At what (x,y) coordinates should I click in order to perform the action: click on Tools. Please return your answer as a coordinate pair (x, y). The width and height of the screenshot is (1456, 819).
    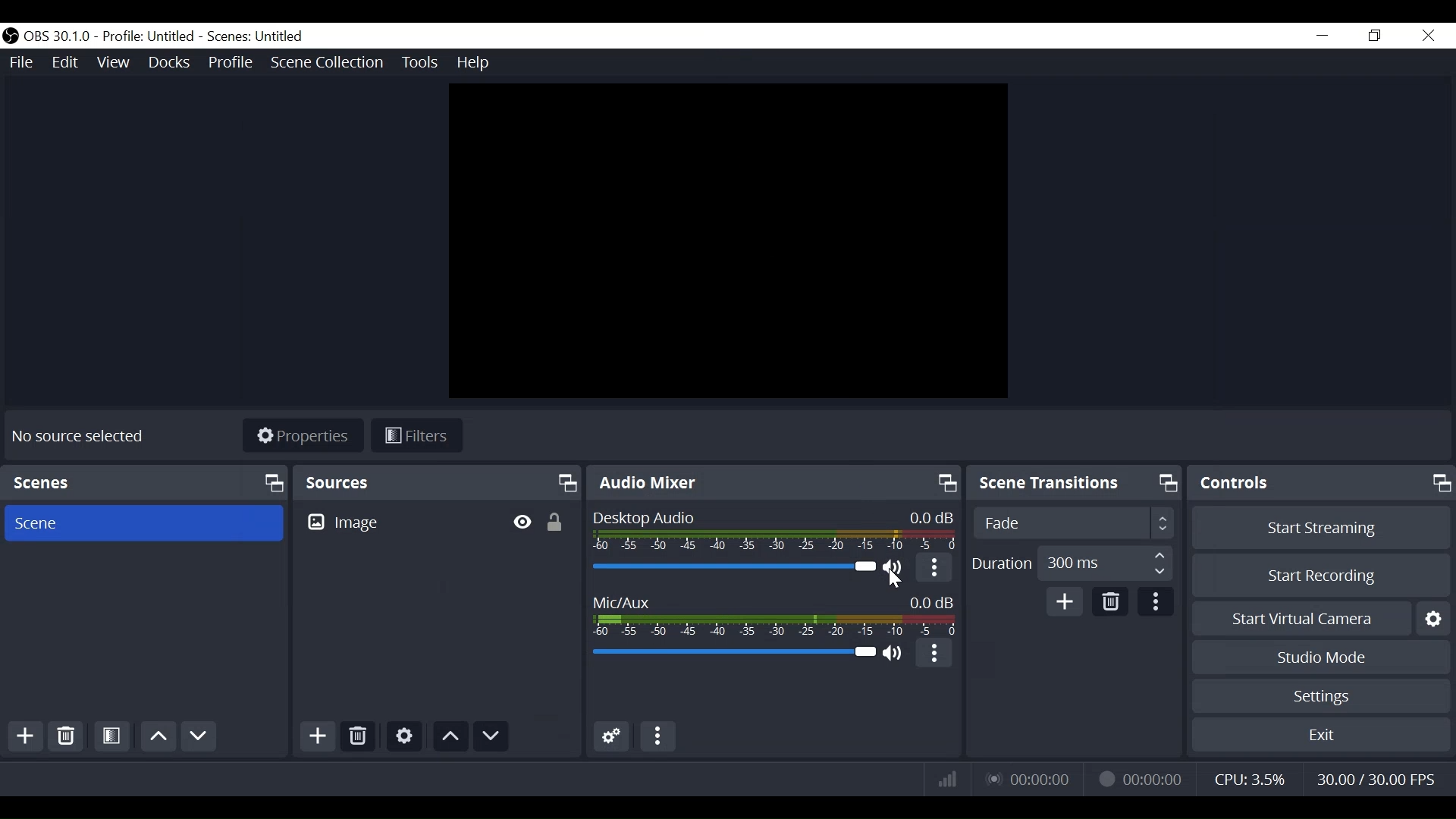
    Looking at the image, I should click on (418, 62).